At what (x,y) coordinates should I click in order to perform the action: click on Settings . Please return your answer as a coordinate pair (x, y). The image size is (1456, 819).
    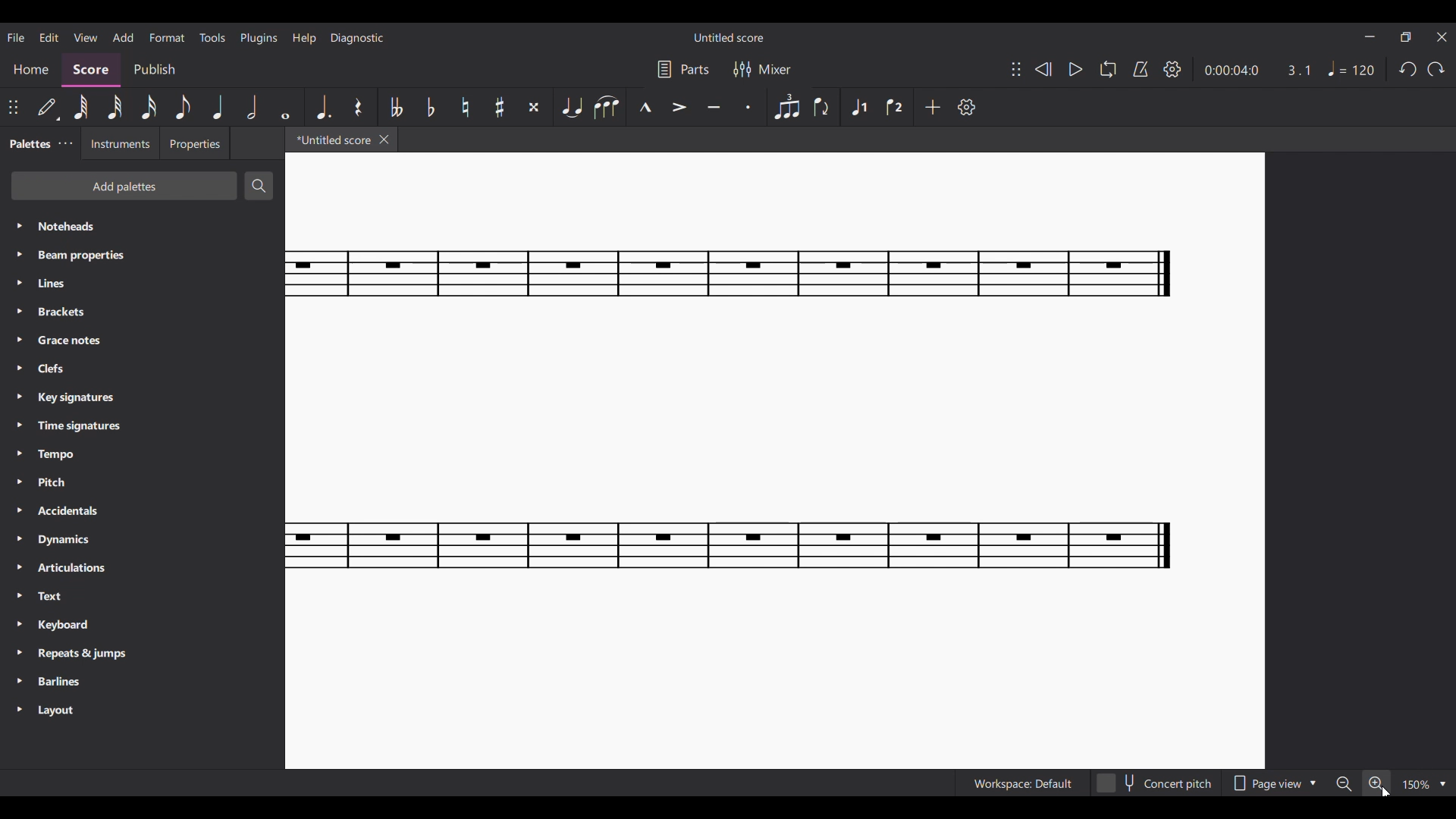
    Looking at the image, I should click on (1172, 69).